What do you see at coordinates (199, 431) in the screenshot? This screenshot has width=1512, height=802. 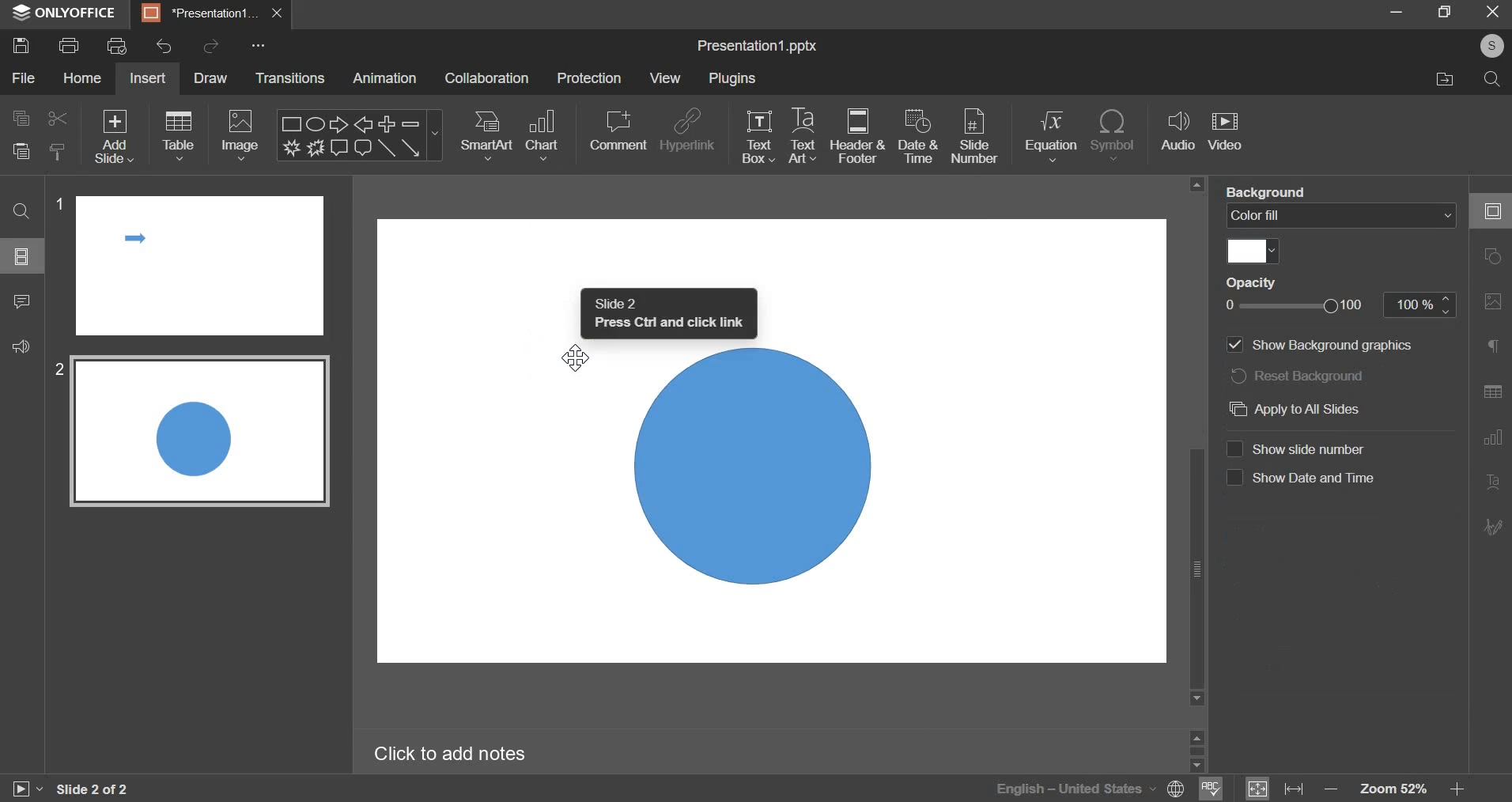 I see `slide 2 preview` at bounding box center [199, 431].